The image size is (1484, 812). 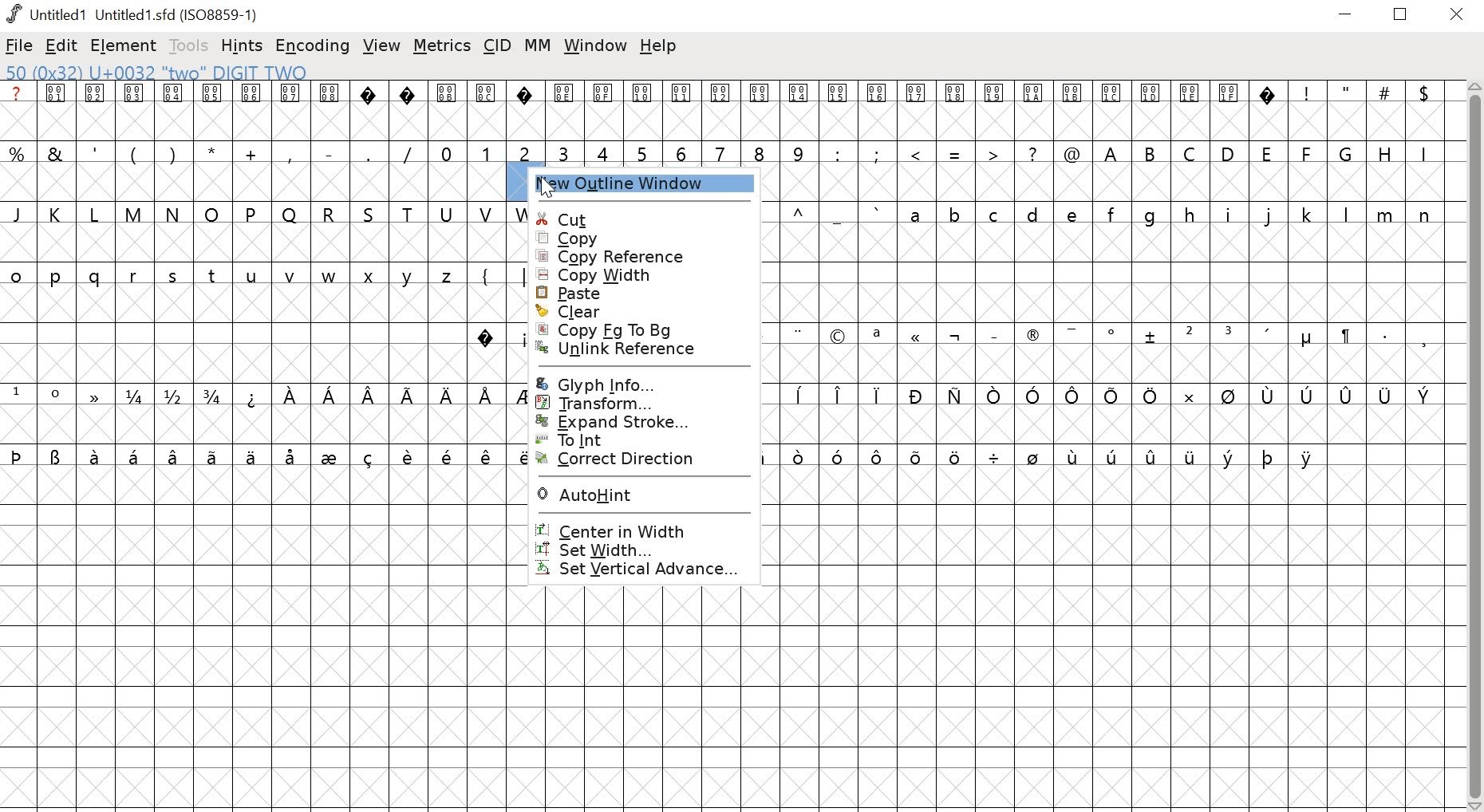 What do you see at coordinates (638, 330) in the screenshot?
I see `copy fg to bg` at bounding box center [638, 330].